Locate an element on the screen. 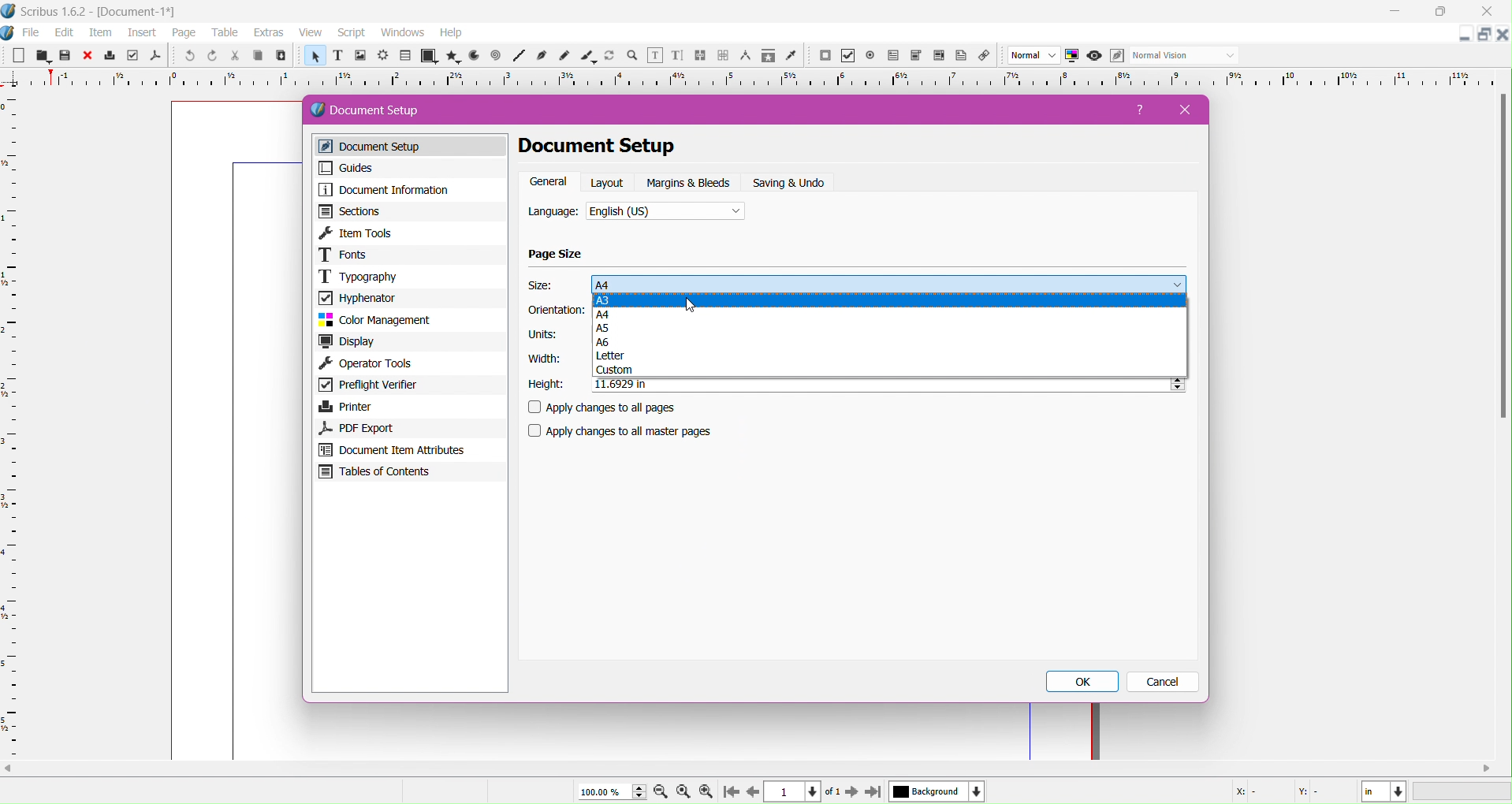 The width and height of the screenshot is (1512, 804). unlink text frames is located at coordinates (723, 56).